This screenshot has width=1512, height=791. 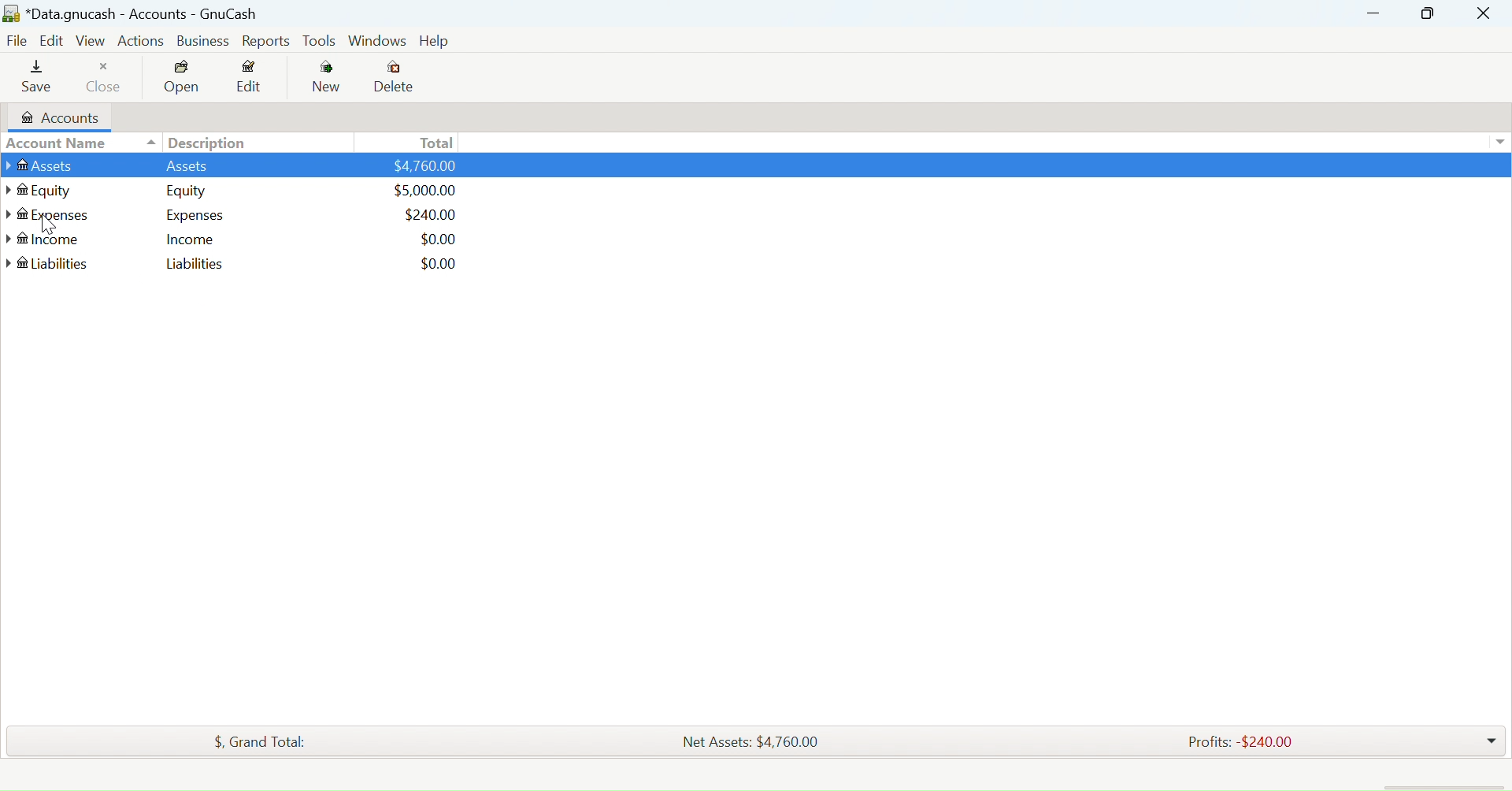 I want to click on Accounts, so click(x=61, y=117).